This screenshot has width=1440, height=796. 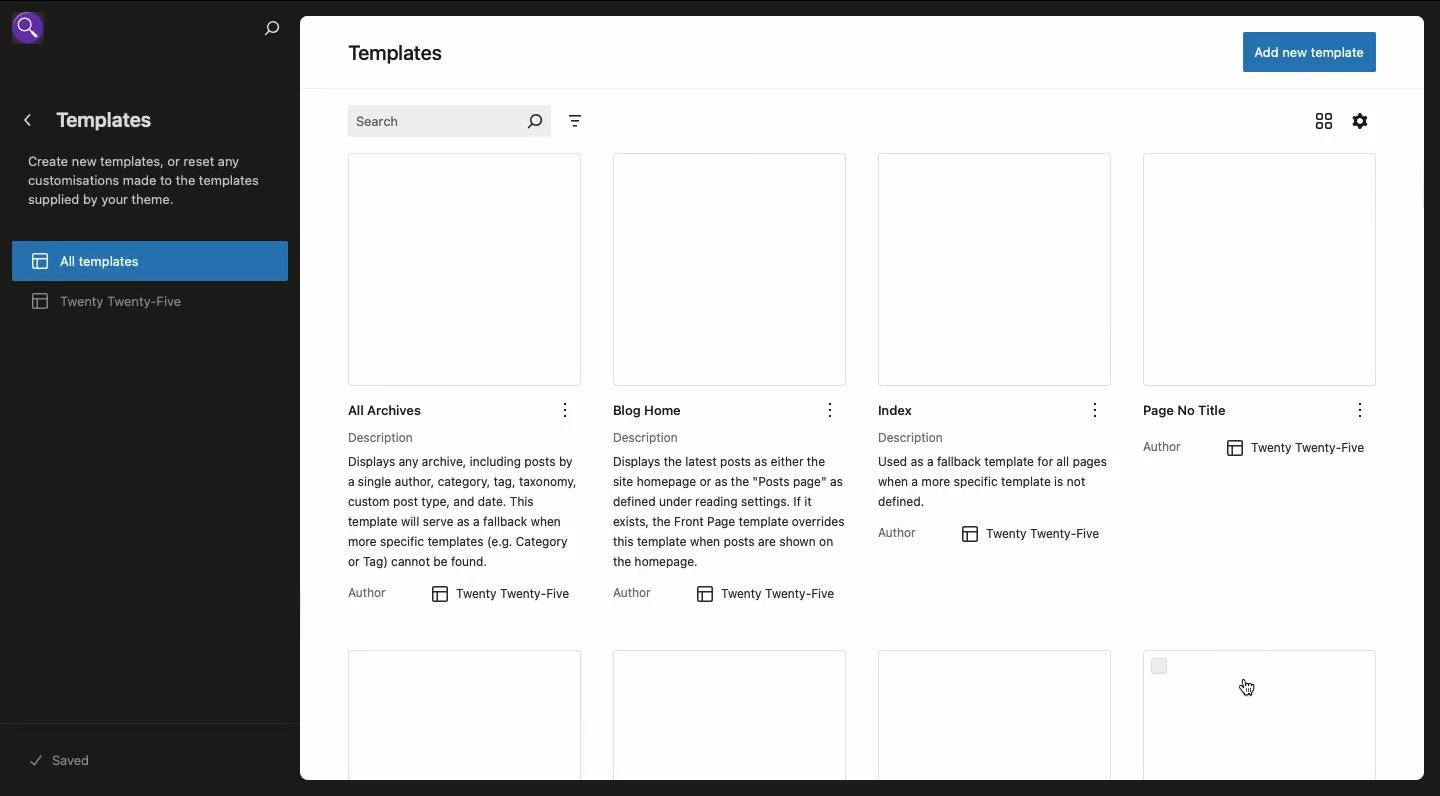 I want to click on twenty twenty five, so click(x=123, y=304).